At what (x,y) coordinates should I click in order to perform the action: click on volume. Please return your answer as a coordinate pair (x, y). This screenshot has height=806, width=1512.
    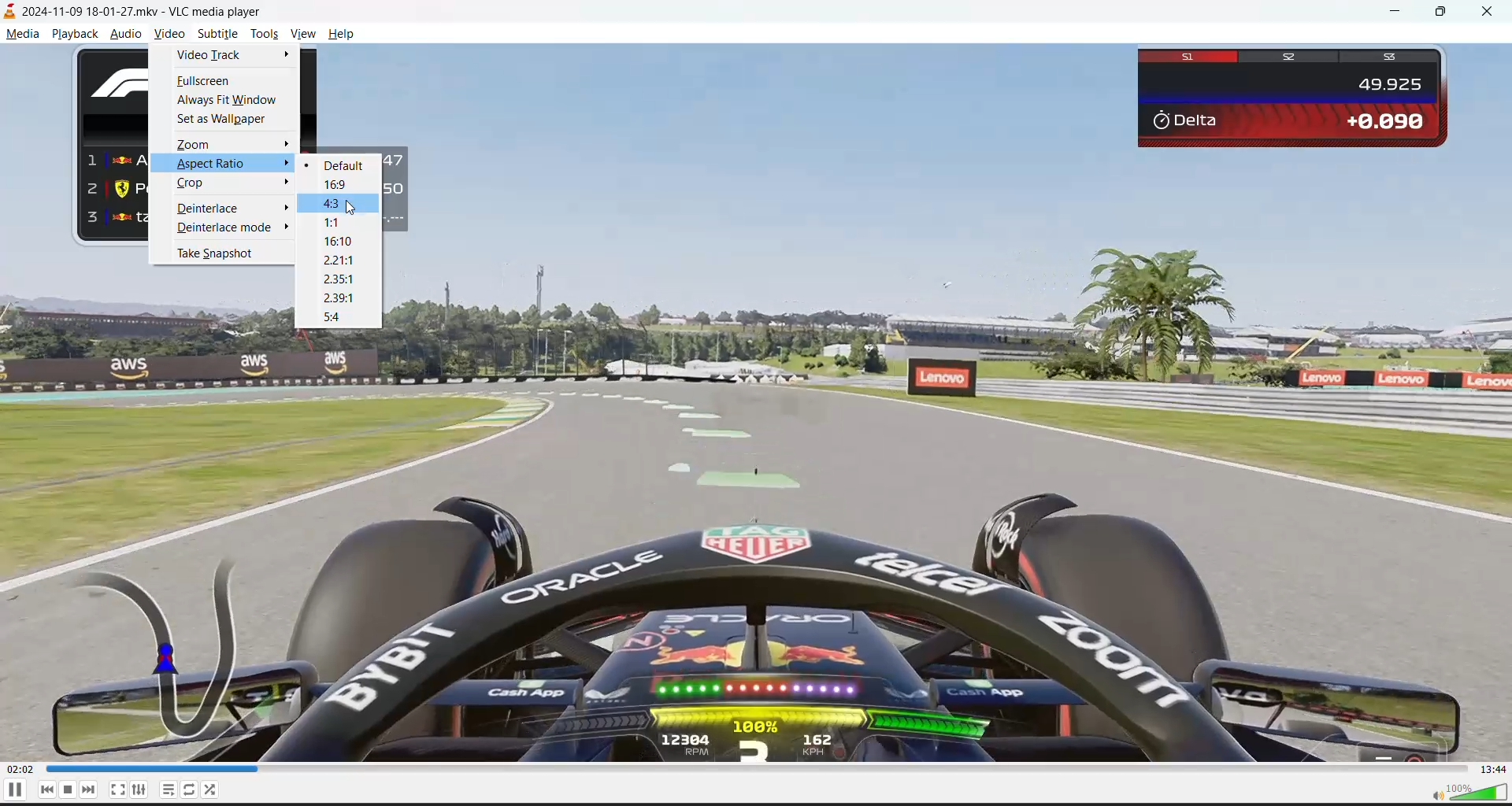
    Looking at the image, I should click on (1466, 791).